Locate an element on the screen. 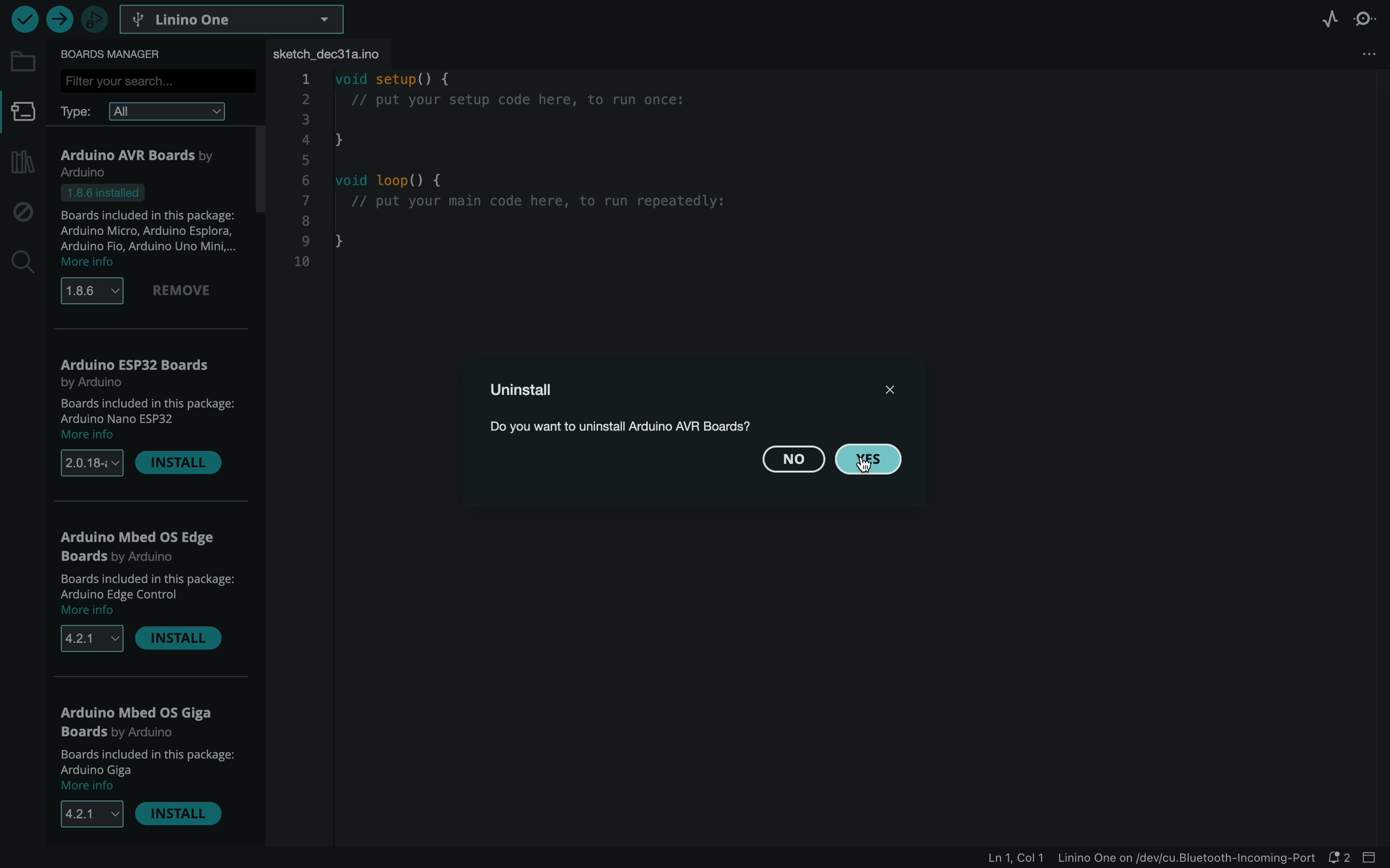 The image size is (1390, 868). yes is located at coordinates (870, 459).